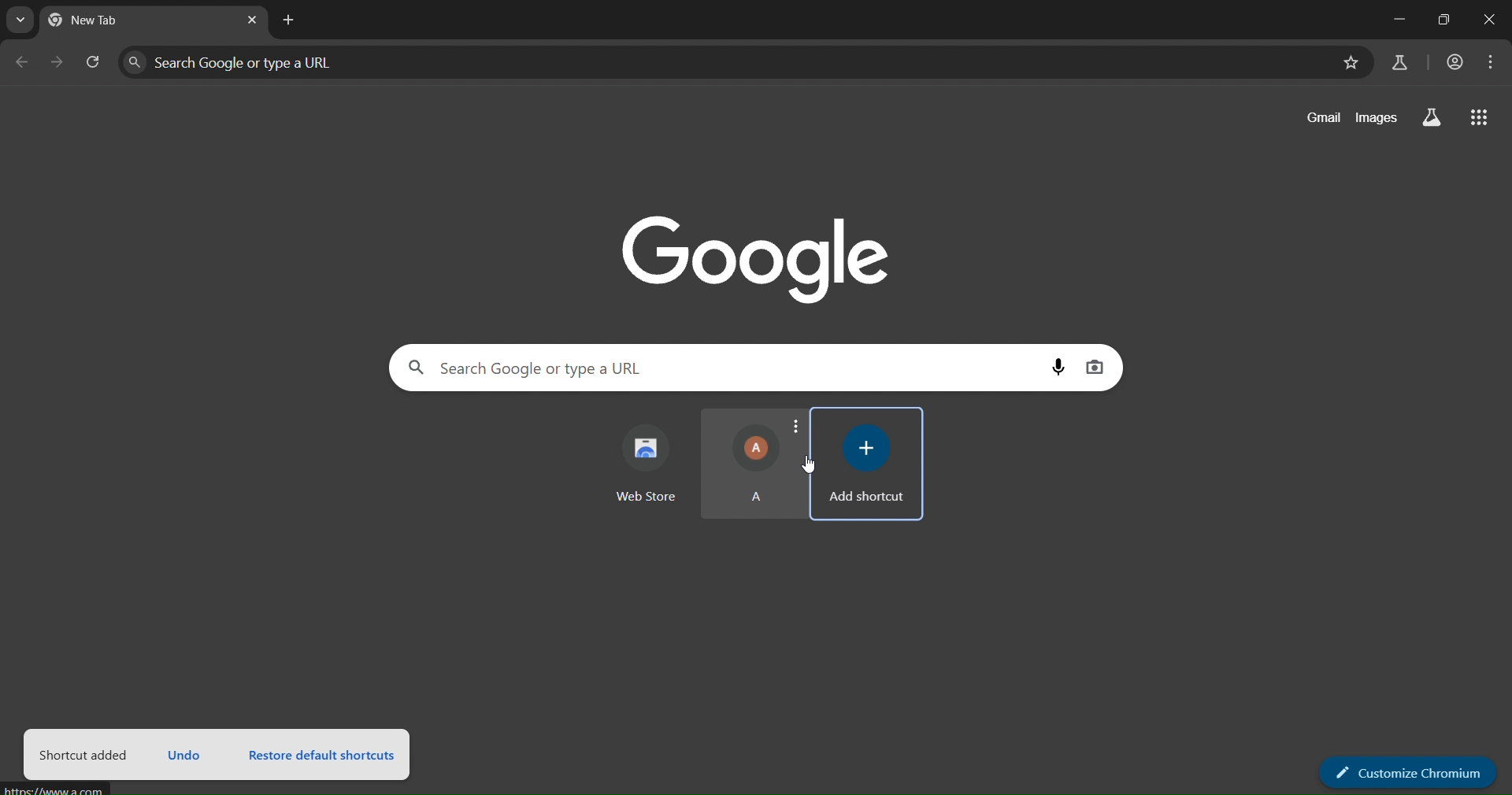  Describe the element at coordinates (87, 756) in the screenshot. I see `shortcut added` at that location.